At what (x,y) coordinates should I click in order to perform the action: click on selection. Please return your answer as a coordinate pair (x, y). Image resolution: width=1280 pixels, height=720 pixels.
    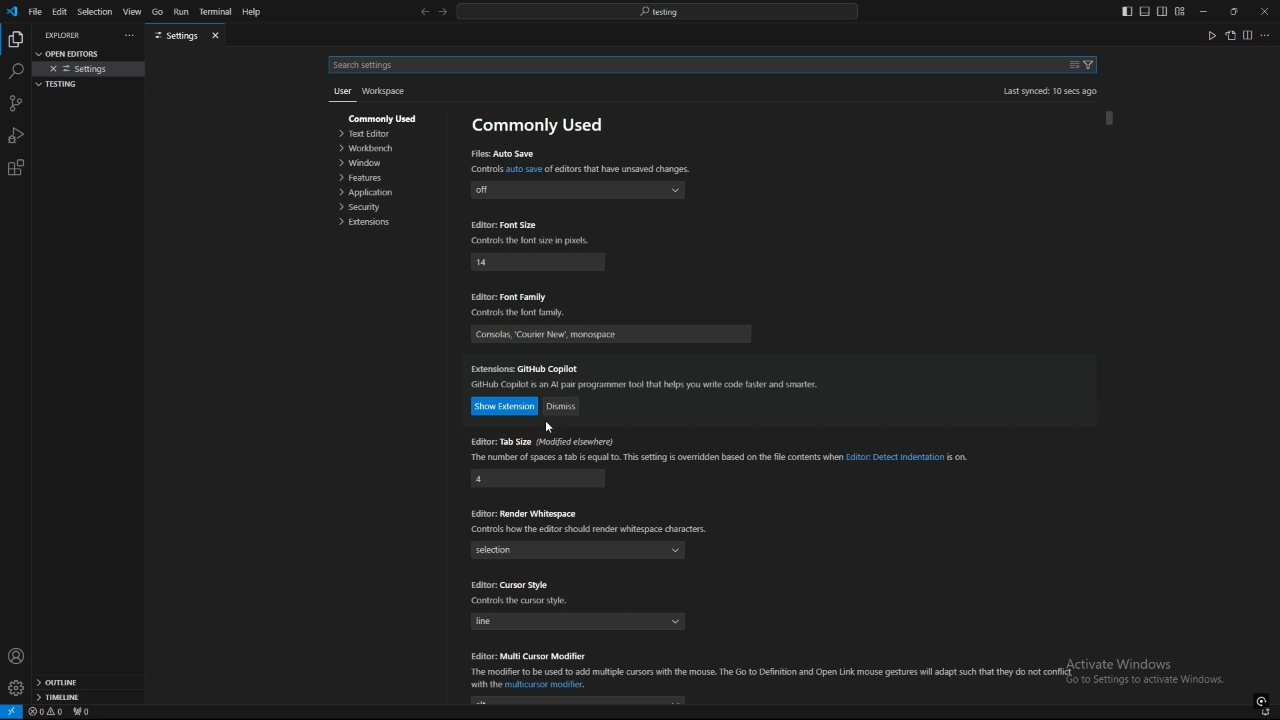
    Looking at the image, I should click on (94, 12).